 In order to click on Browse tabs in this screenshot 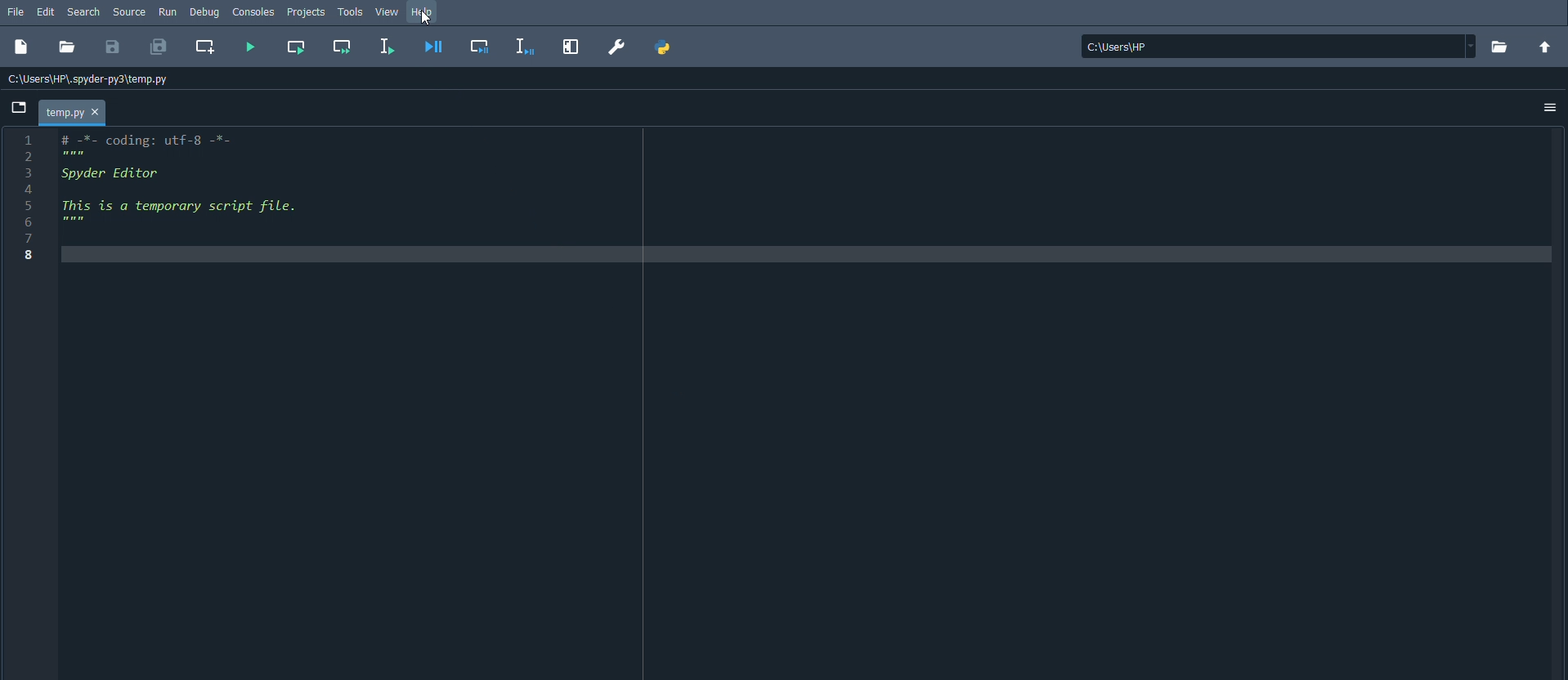, I will do `click(18, 108)`.